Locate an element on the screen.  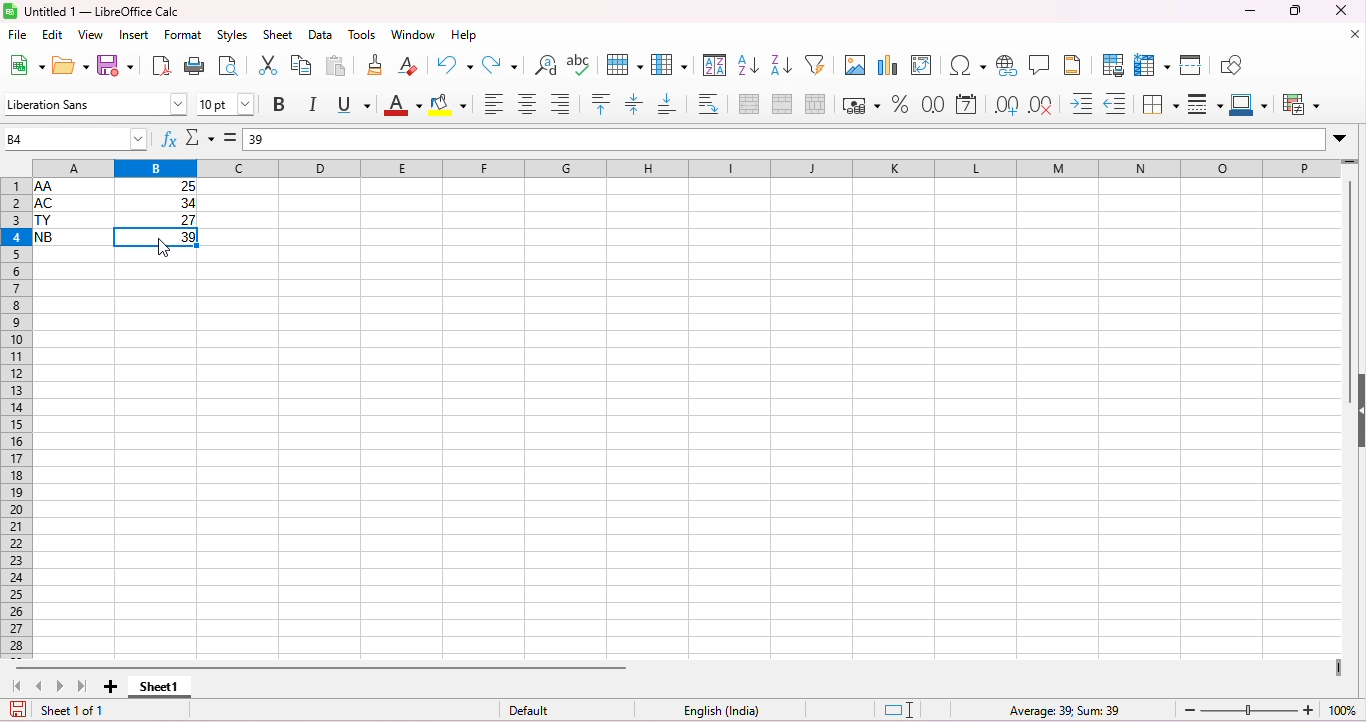
center vertically is located at coordinates (635, 104).